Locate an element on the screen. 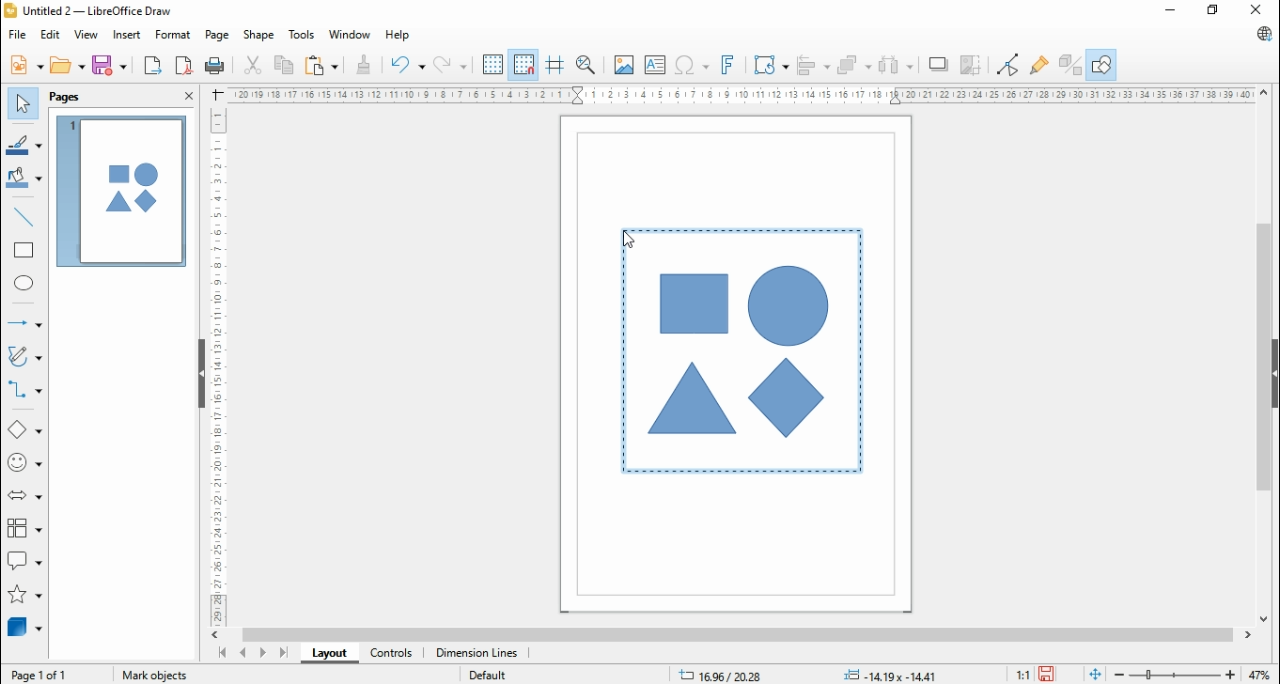 This screenshot has height=684, width=1280. align objects is located at coordinates (811, 64).